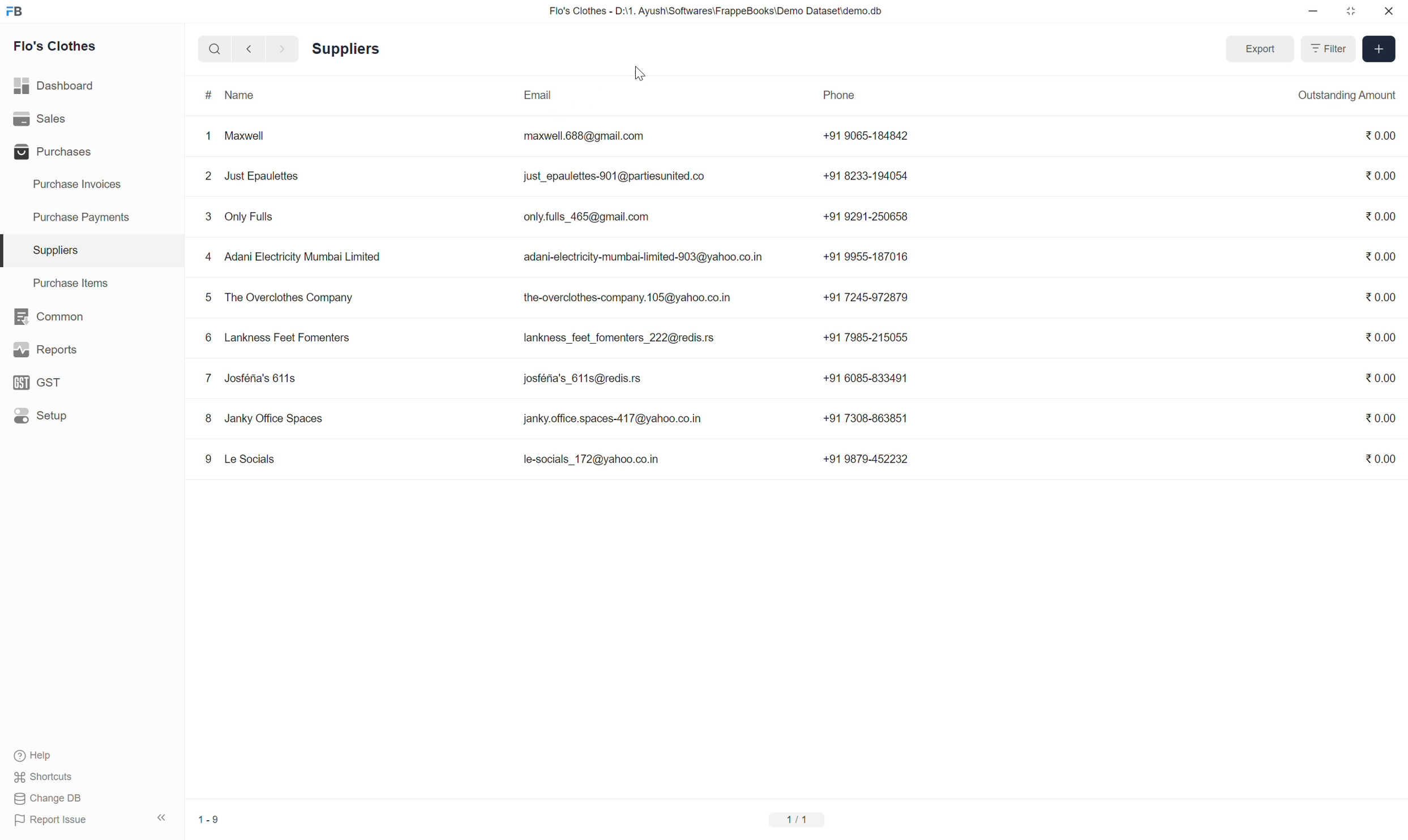 This screenshot has height=840, width=1408. I want to click on maxwell.688@gmail.com, so click(587, 137).